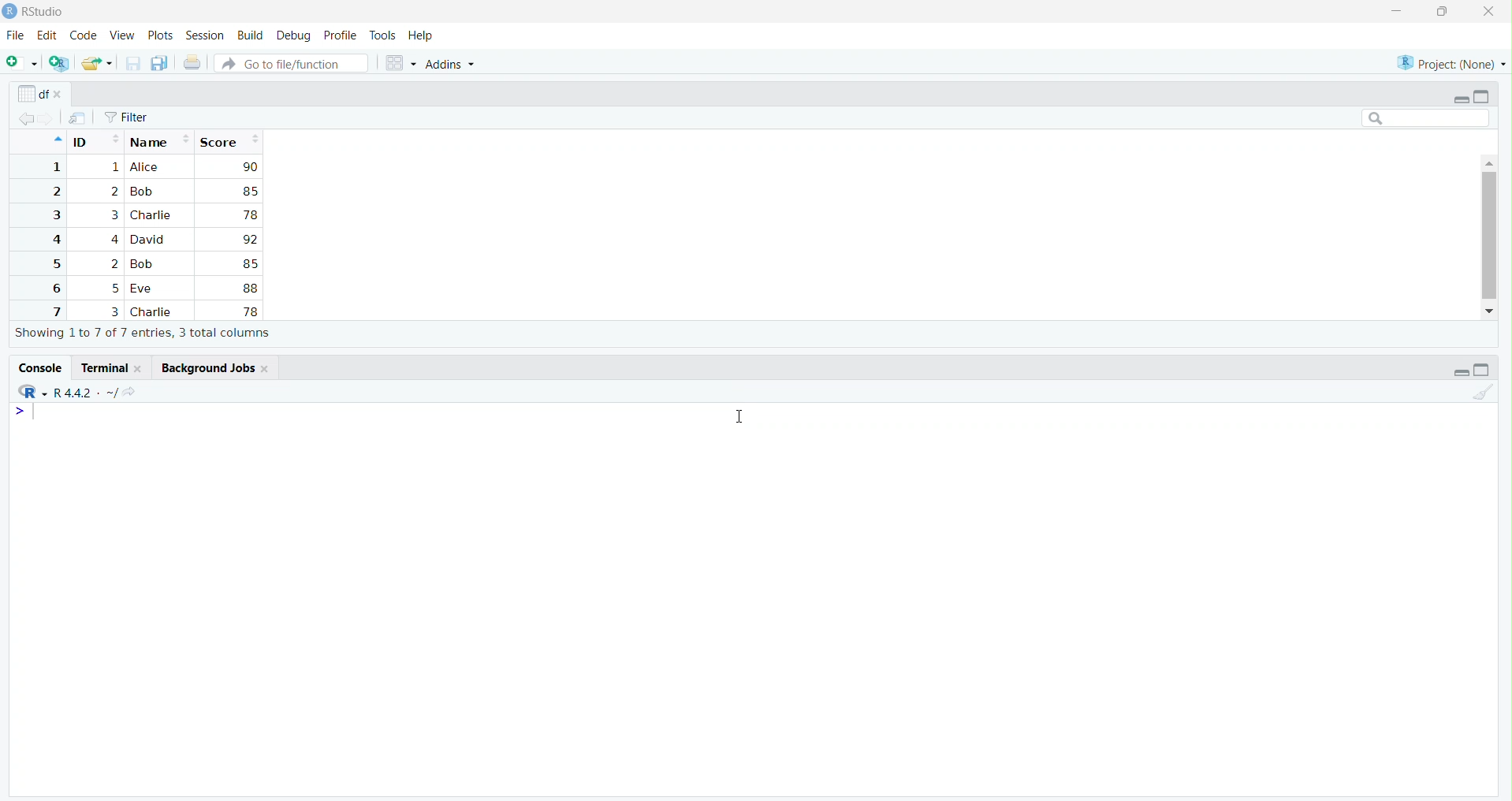 The image size is (1512, 801). I want to click on 3, so click(112, 215).